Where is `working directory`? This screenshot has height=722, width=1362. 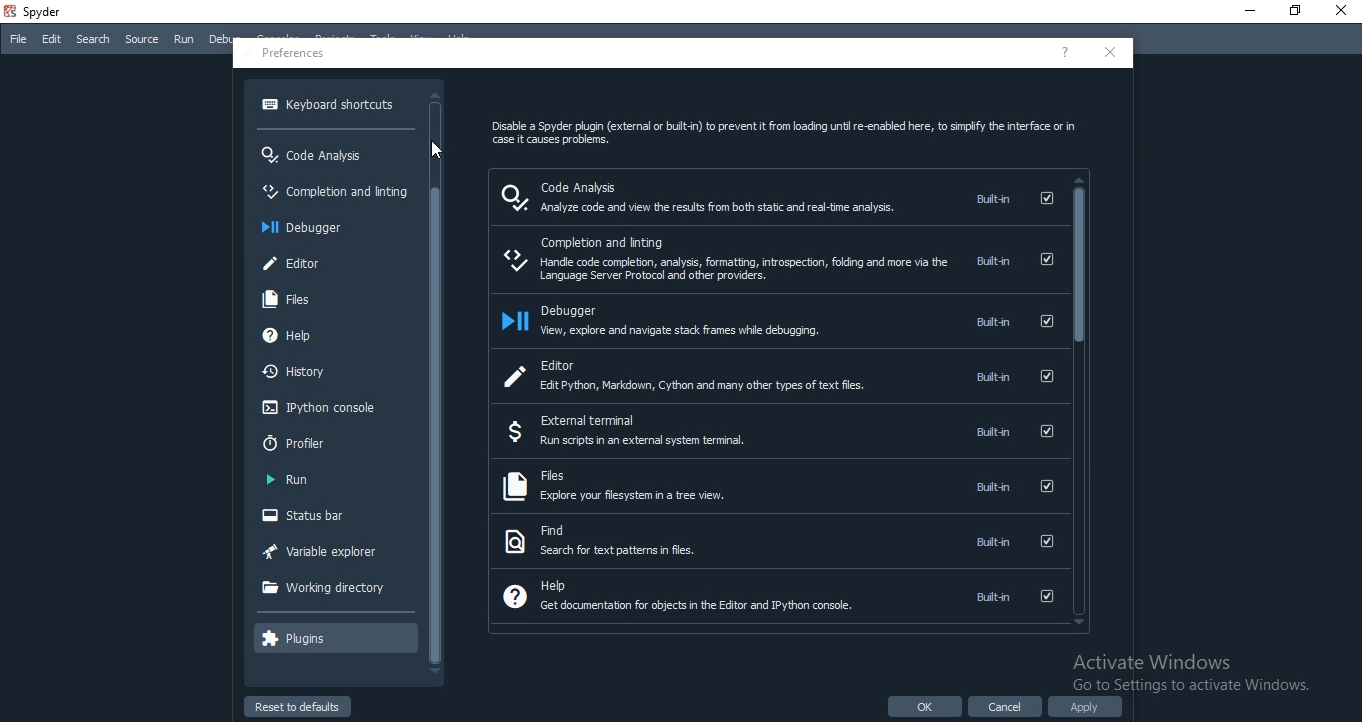 working directory is located at coordinates (334, 591).